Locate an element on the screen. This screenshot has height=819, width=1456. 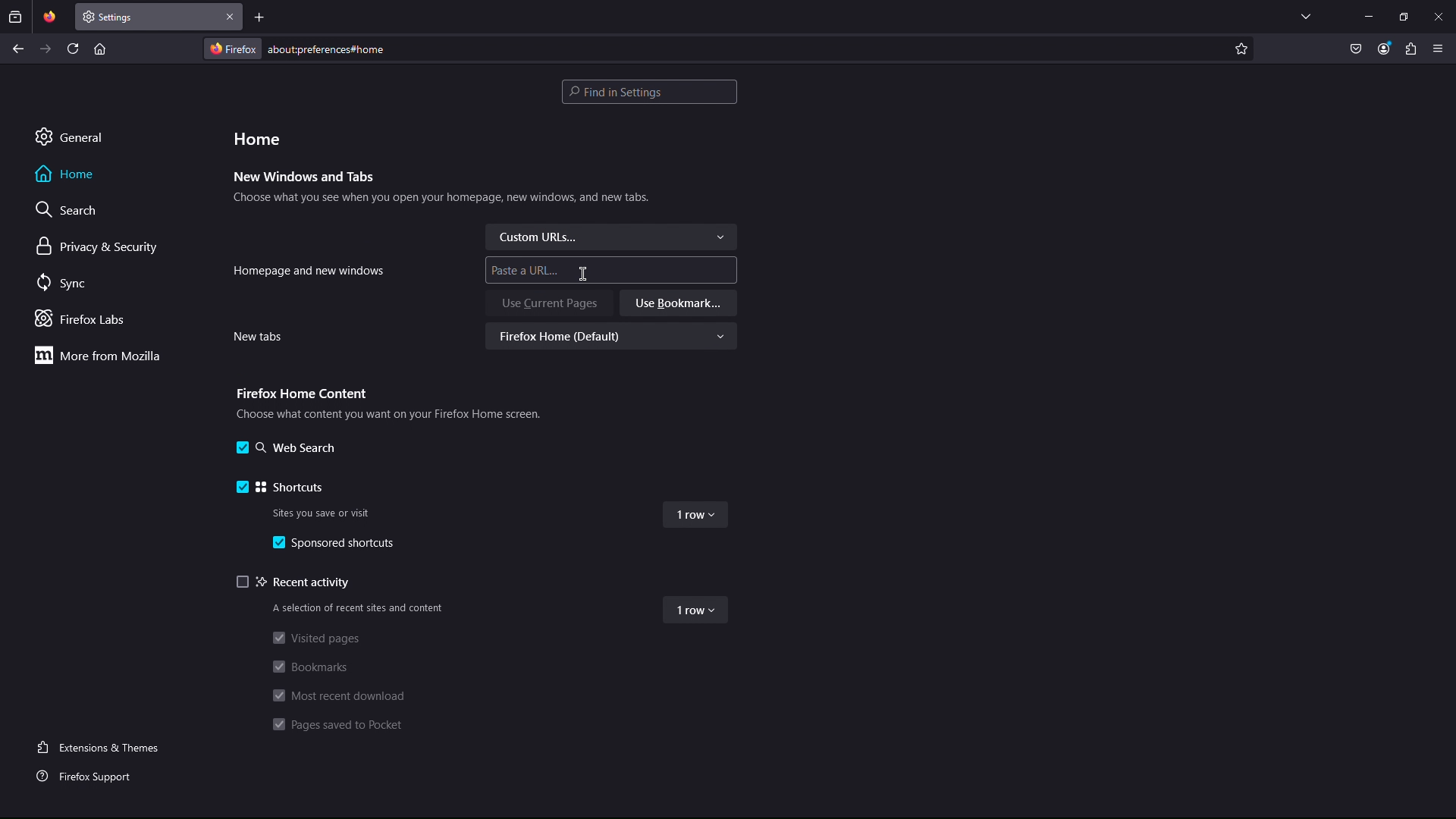
Pinned Tab is located at coordinates (49, 17).